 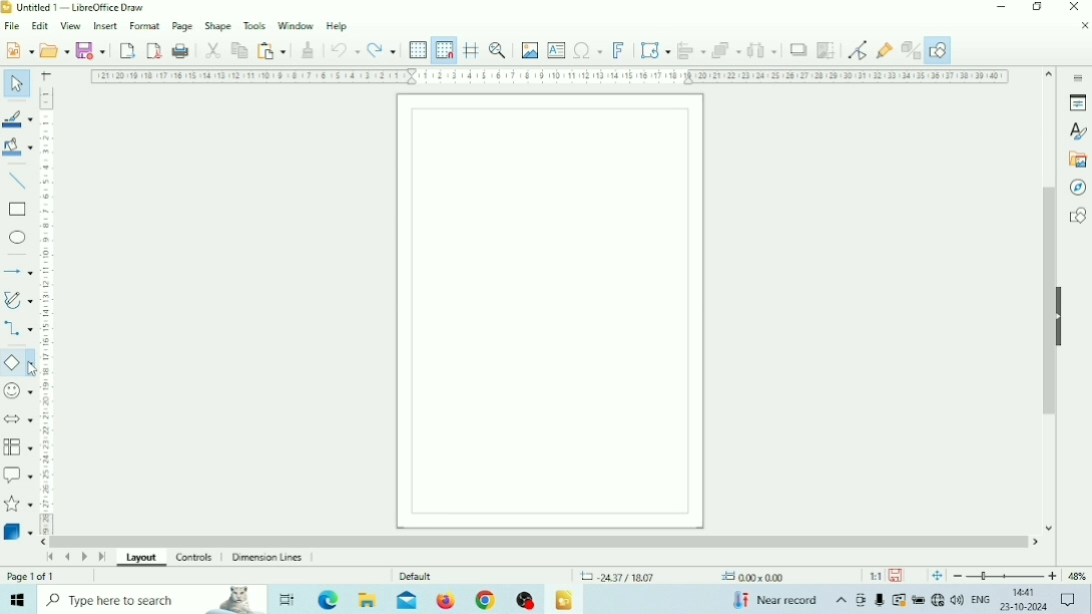 What do you see at coordinates (345, 50) in the screenshot?
I see `Undo` at bounding box center [345, 50].